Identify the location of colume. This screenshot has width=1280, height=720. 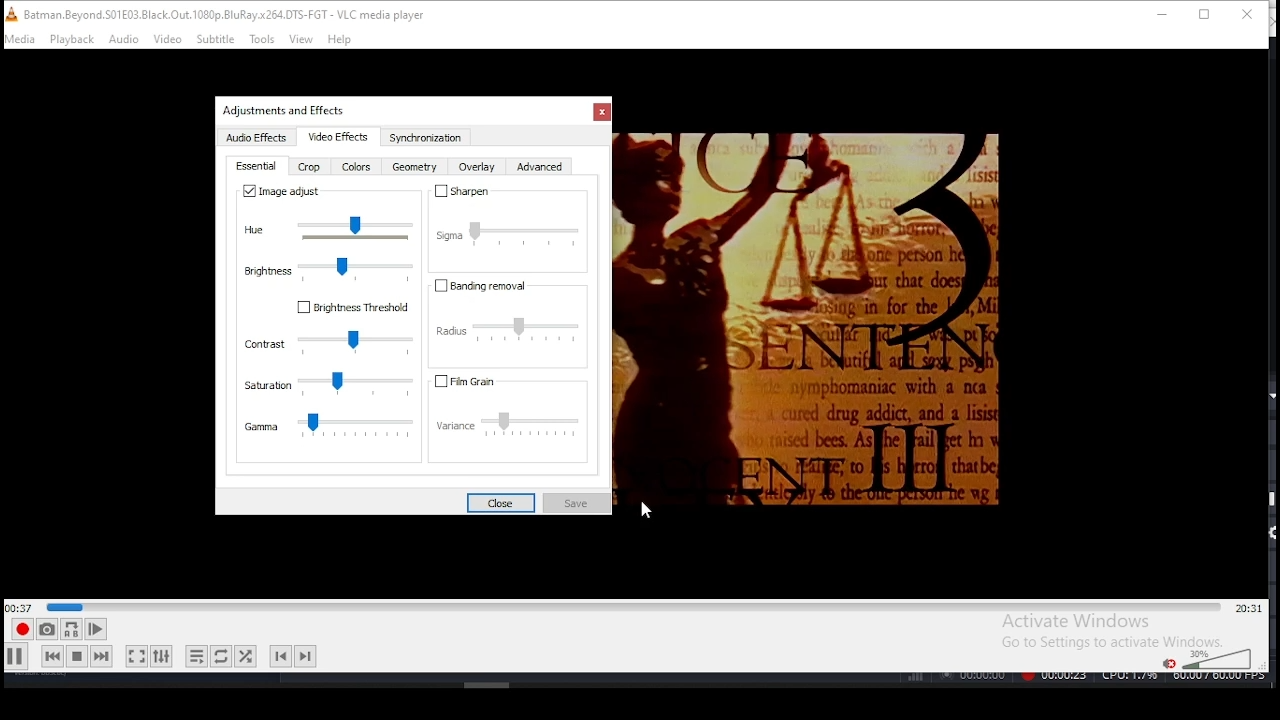
(1216, 658).